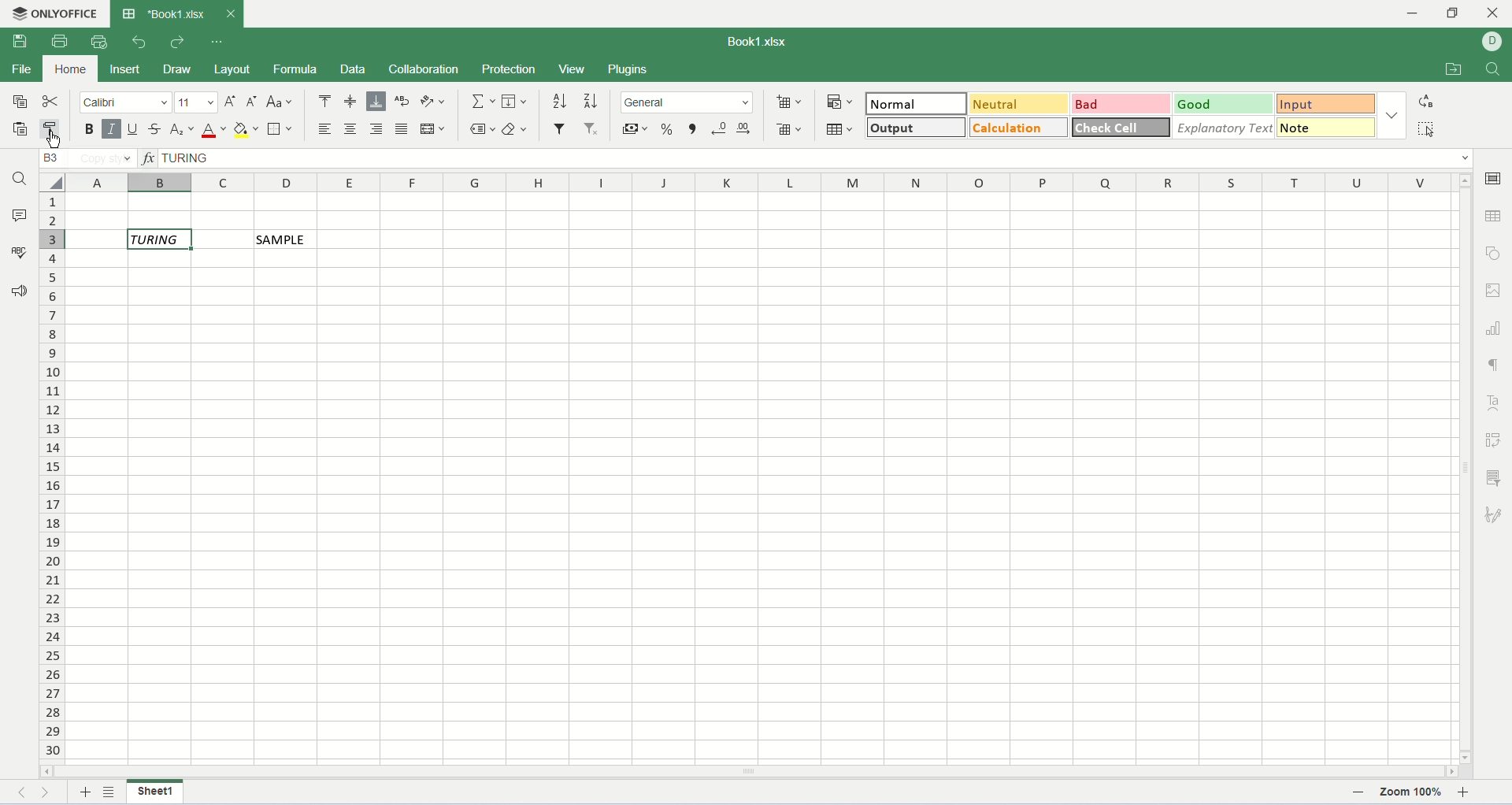 Image resolution: width=1512 pixels, height=805 pixels. Describe the element at coordinates (1496, 177) in the screenshot. I see `cell settings` at that location.